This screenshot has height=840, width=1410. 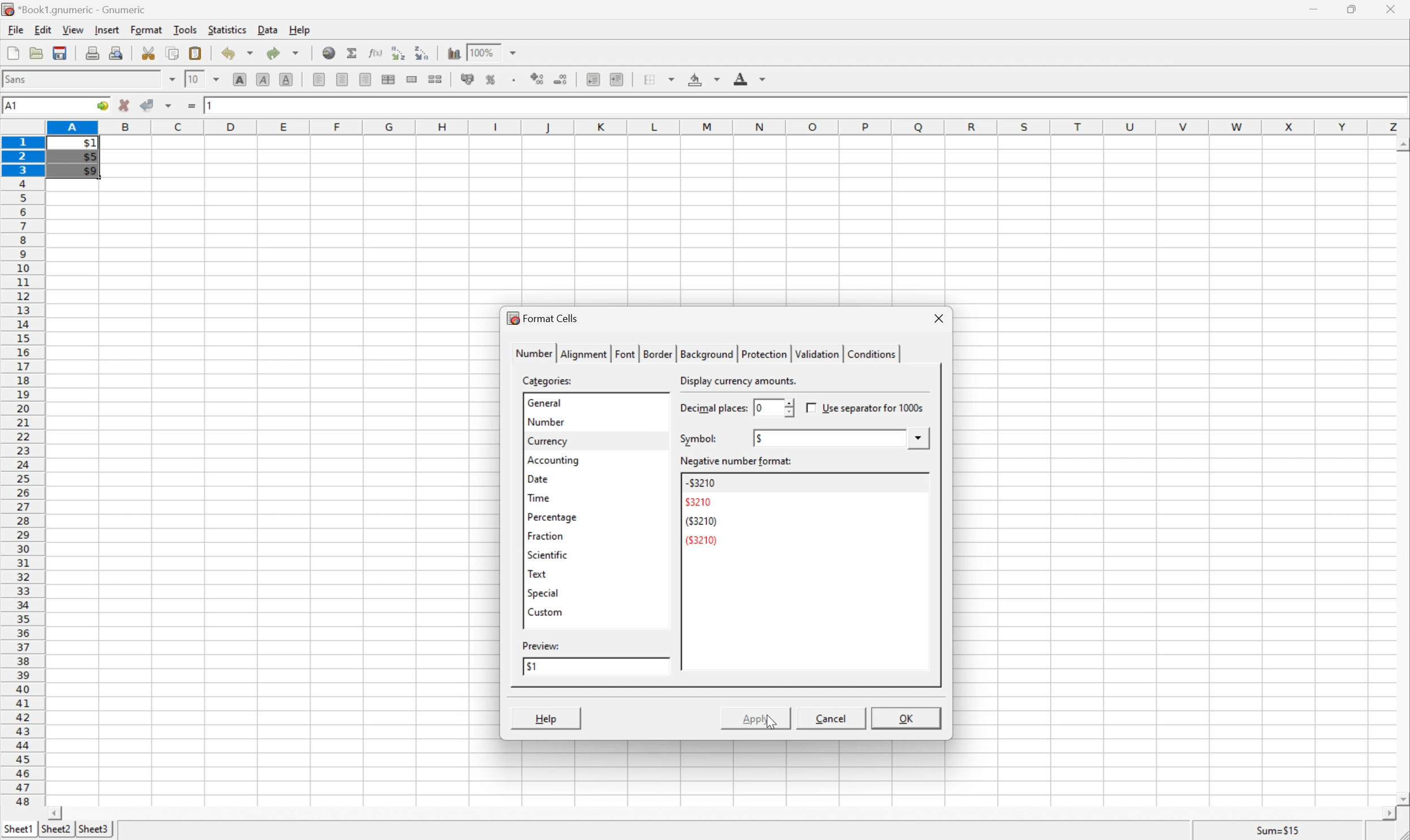 What do you see at coordinates (700, 483) in the screenshot?
I see `-3210` at bounding box center [700, 483].